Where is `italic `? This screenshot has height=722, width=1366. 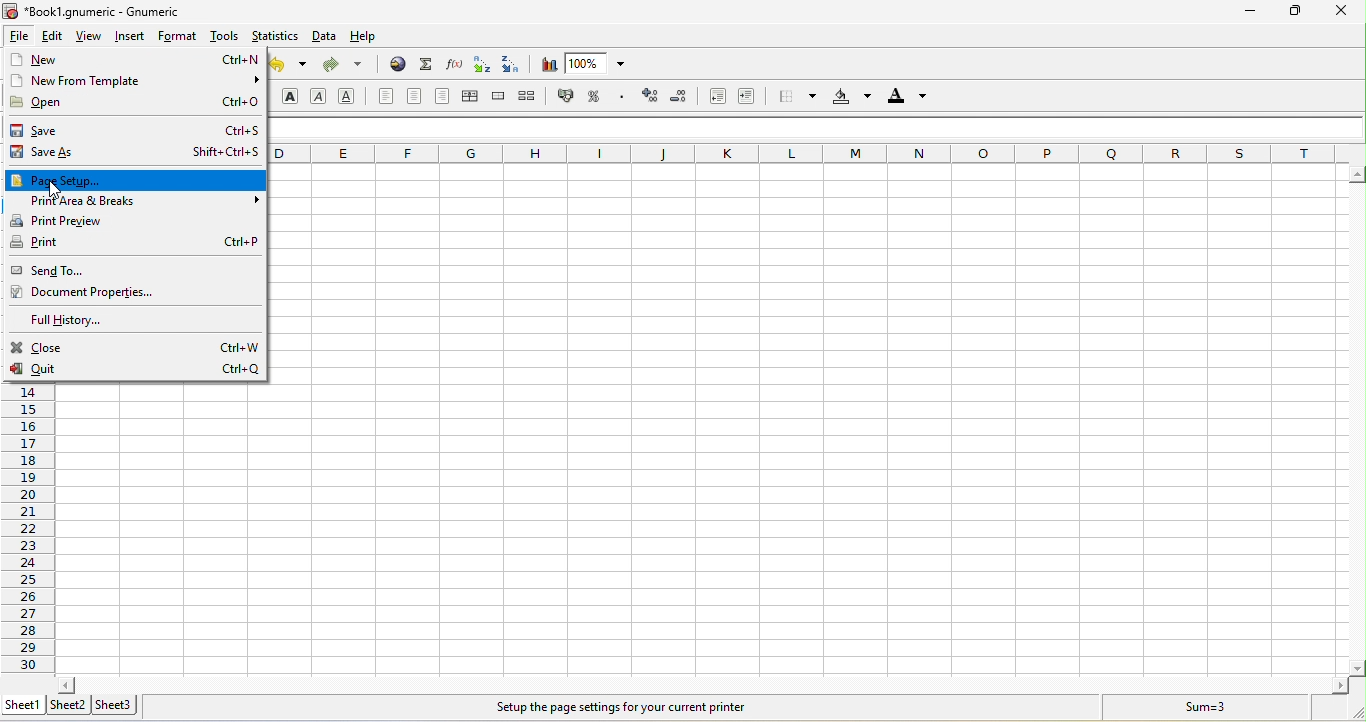
italic  is located at coordinates (323, 97).